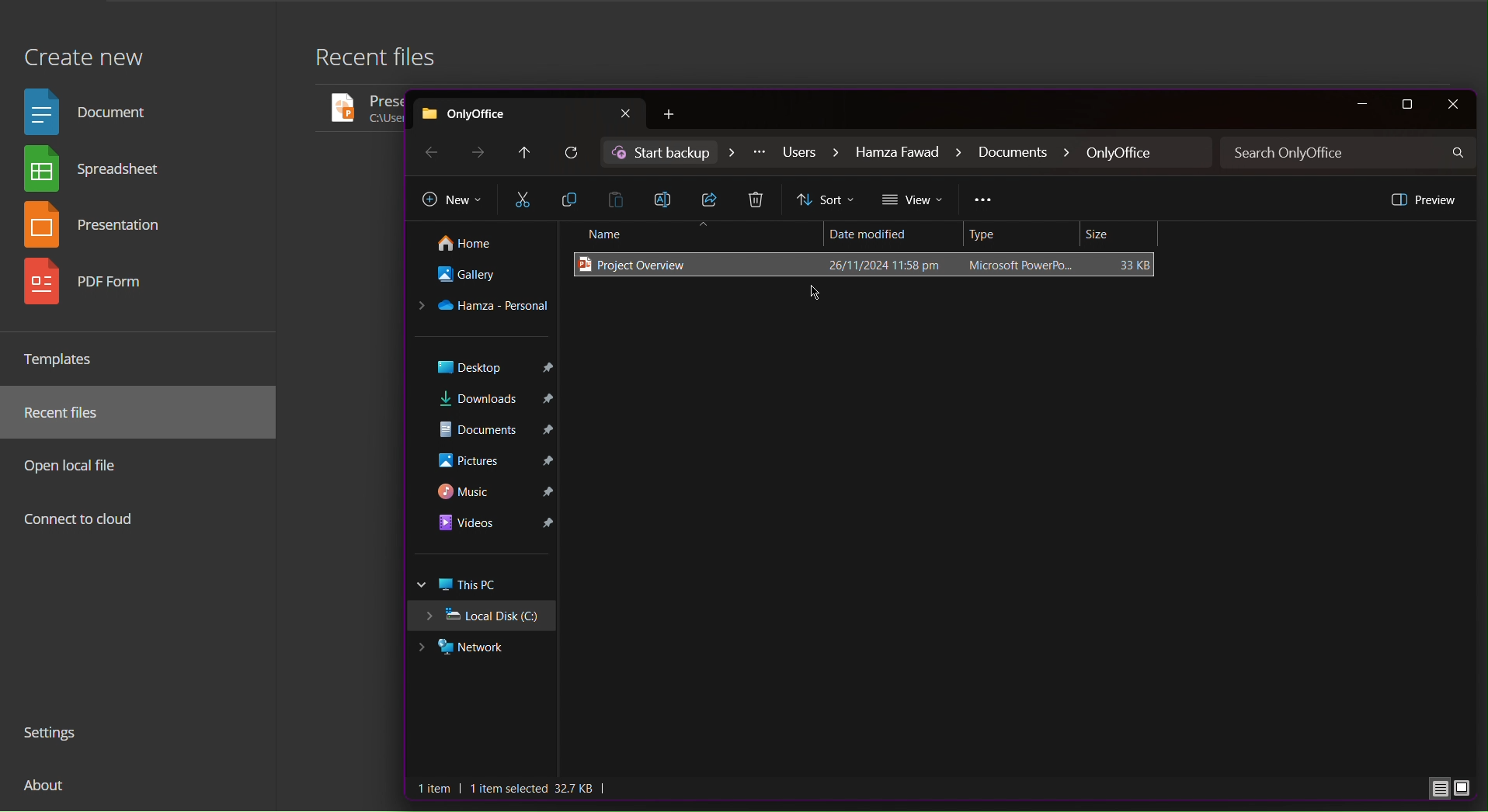  Describe the element at coordinates (620, 199) in the screenshot. I see `Paste` at that location.